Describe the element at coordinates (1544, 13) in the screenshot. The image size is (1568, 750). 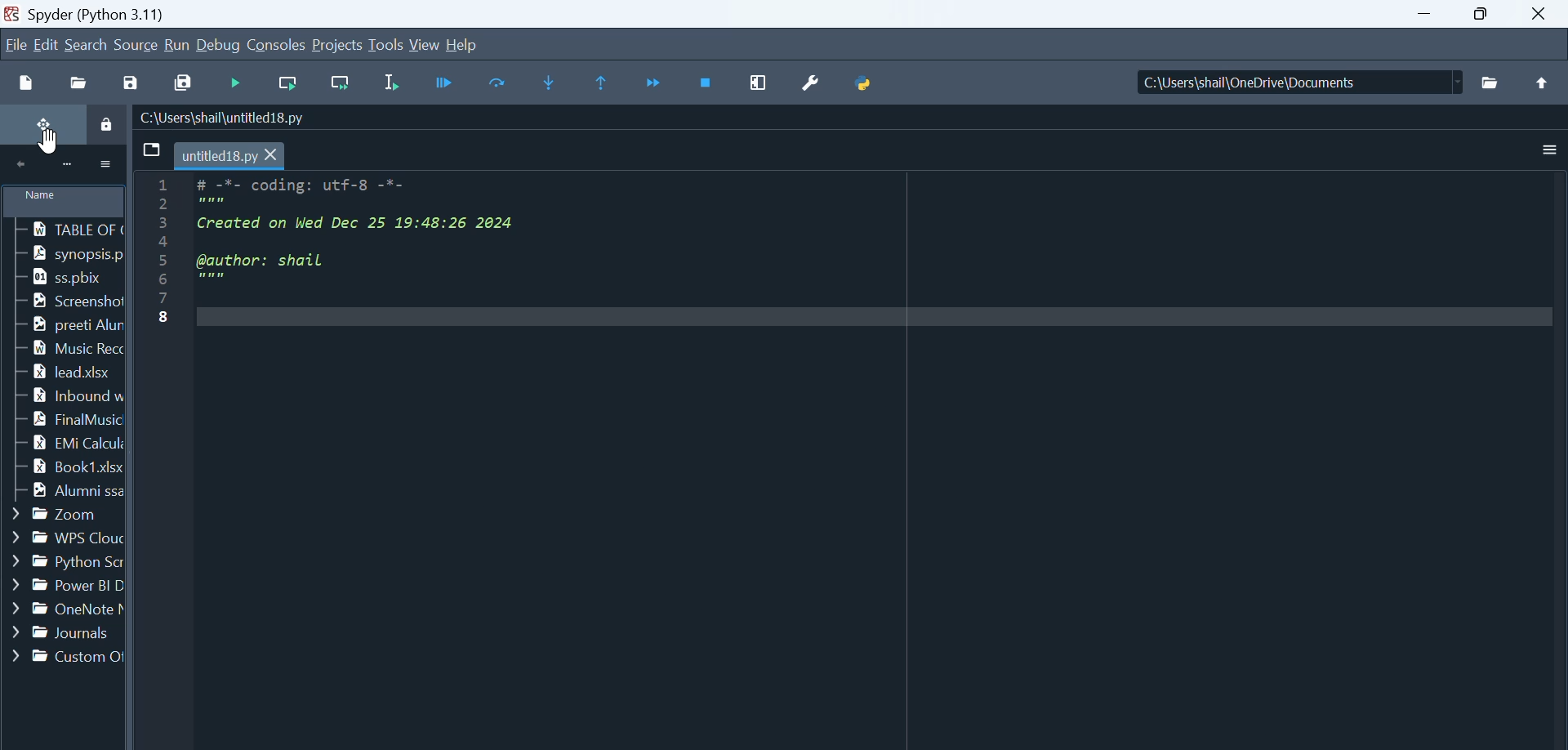
I see `Close` at that location.